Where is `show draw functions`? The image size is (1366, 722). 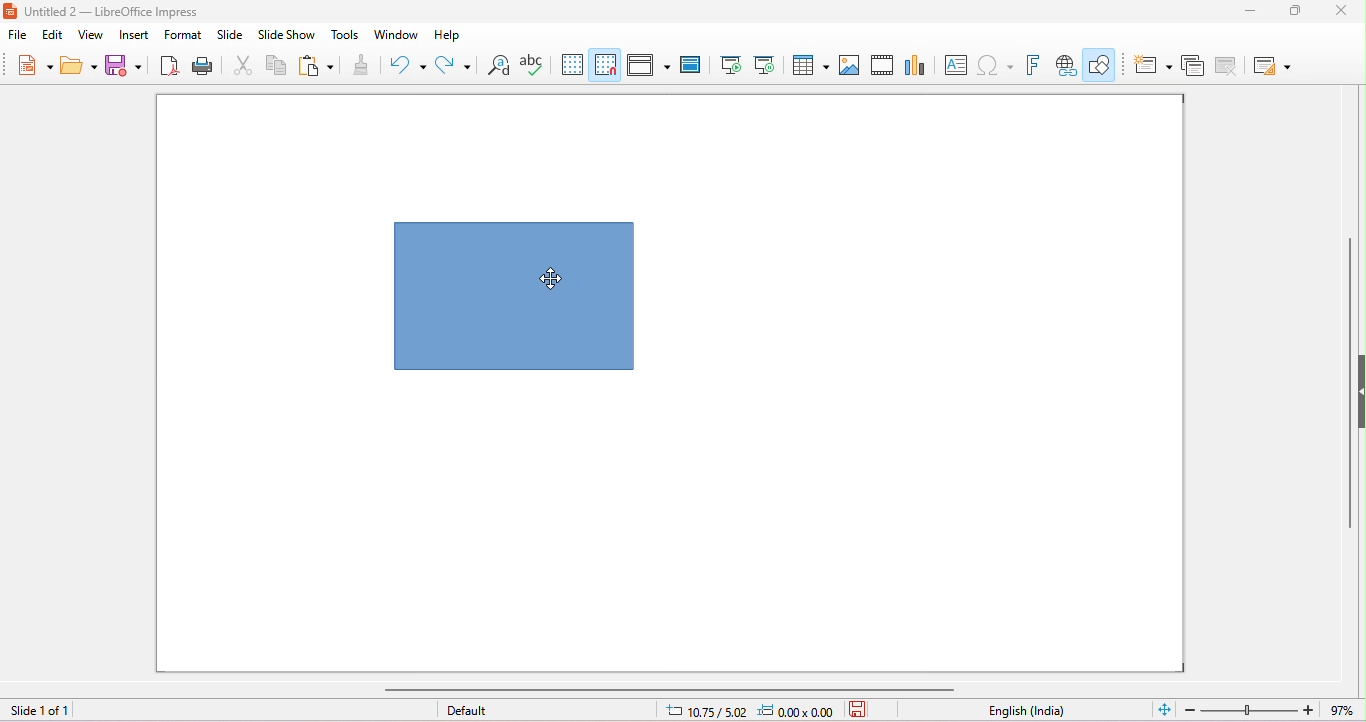 show draw functions is located at coordinates (1101, 63).